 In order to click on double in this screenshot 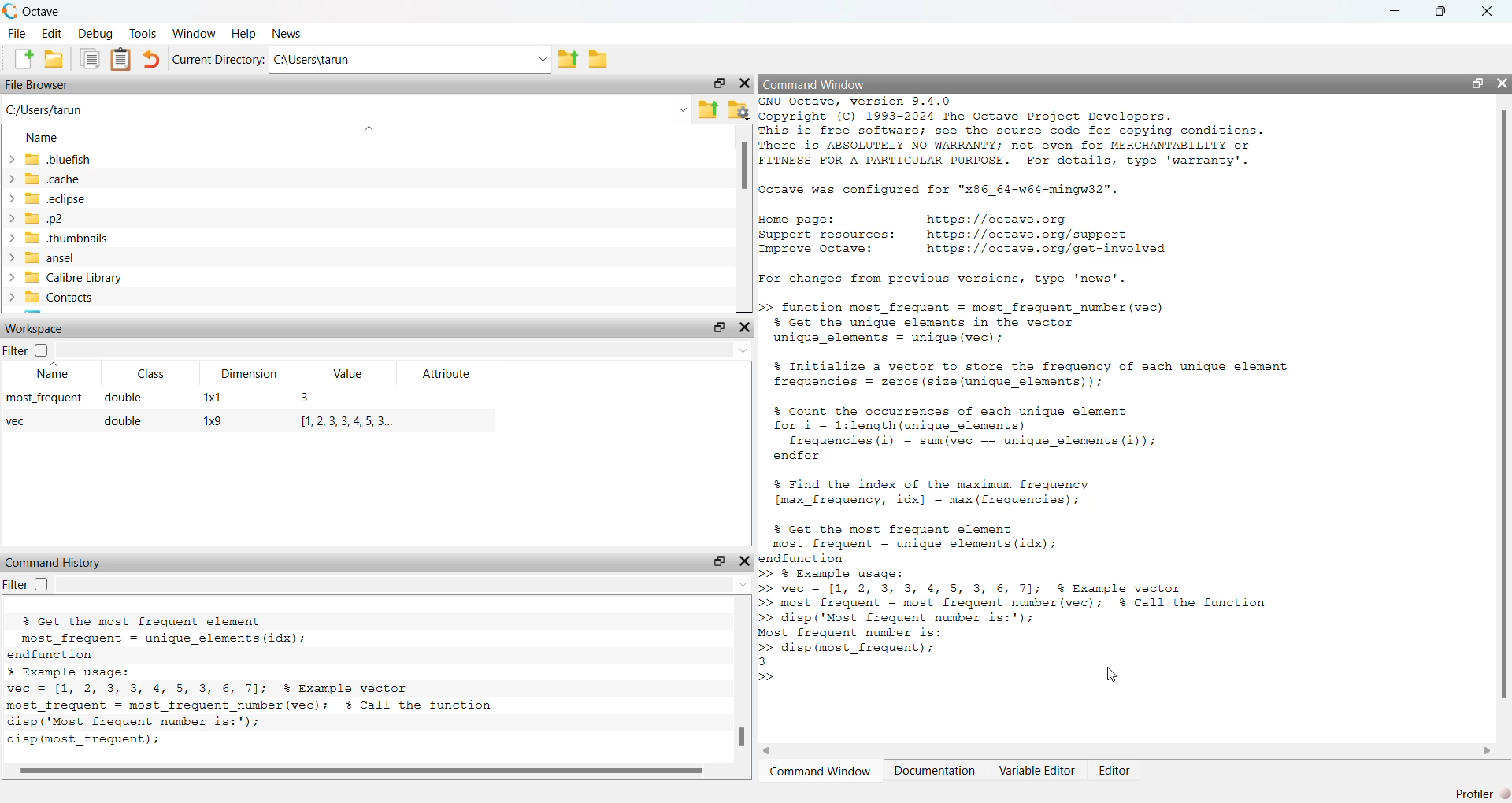, I will do `click(125, 397)`.